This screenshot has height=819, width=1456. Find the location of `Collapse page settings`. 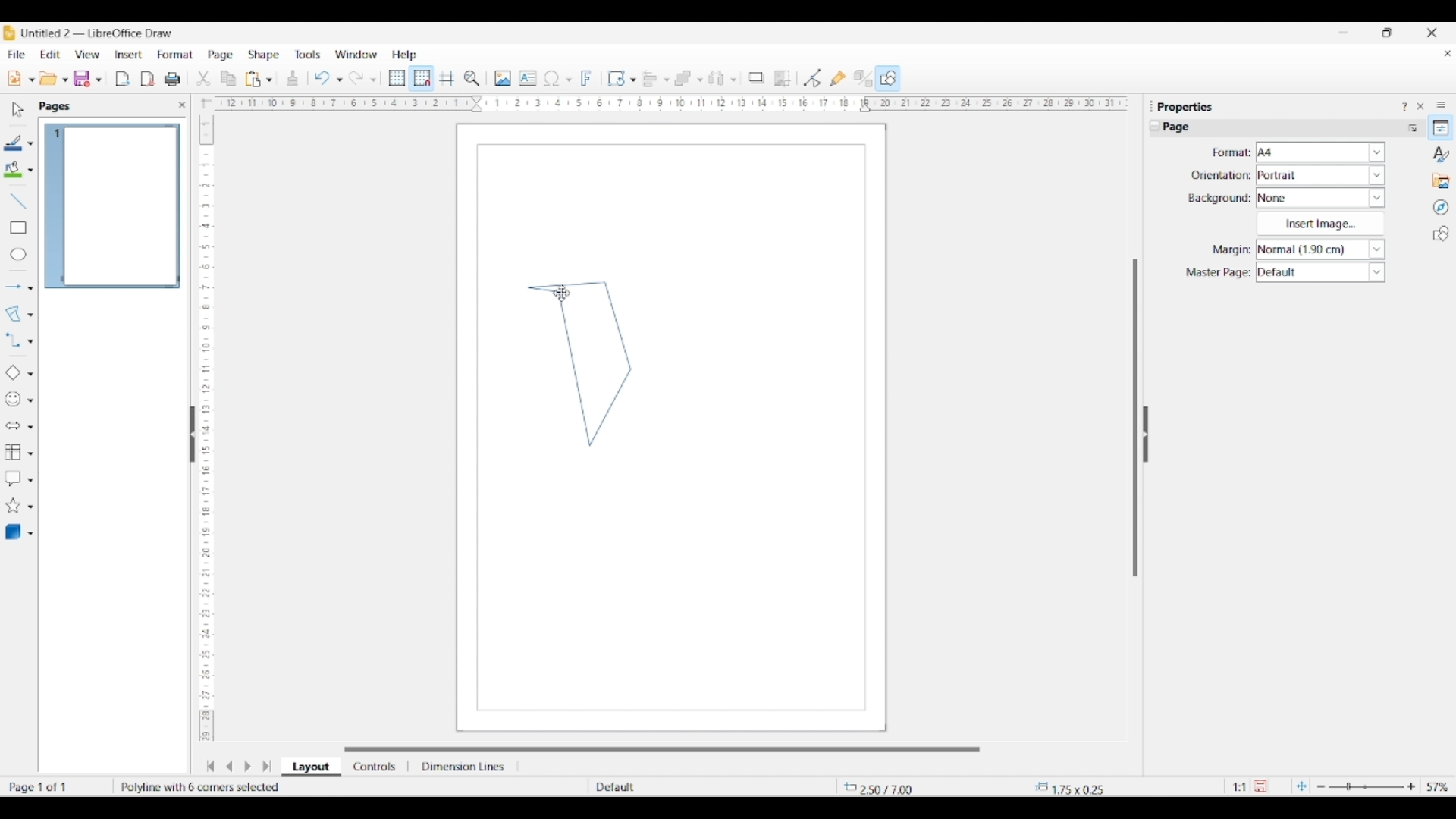

Collapse page settings is located at coordinates (1155, 126).